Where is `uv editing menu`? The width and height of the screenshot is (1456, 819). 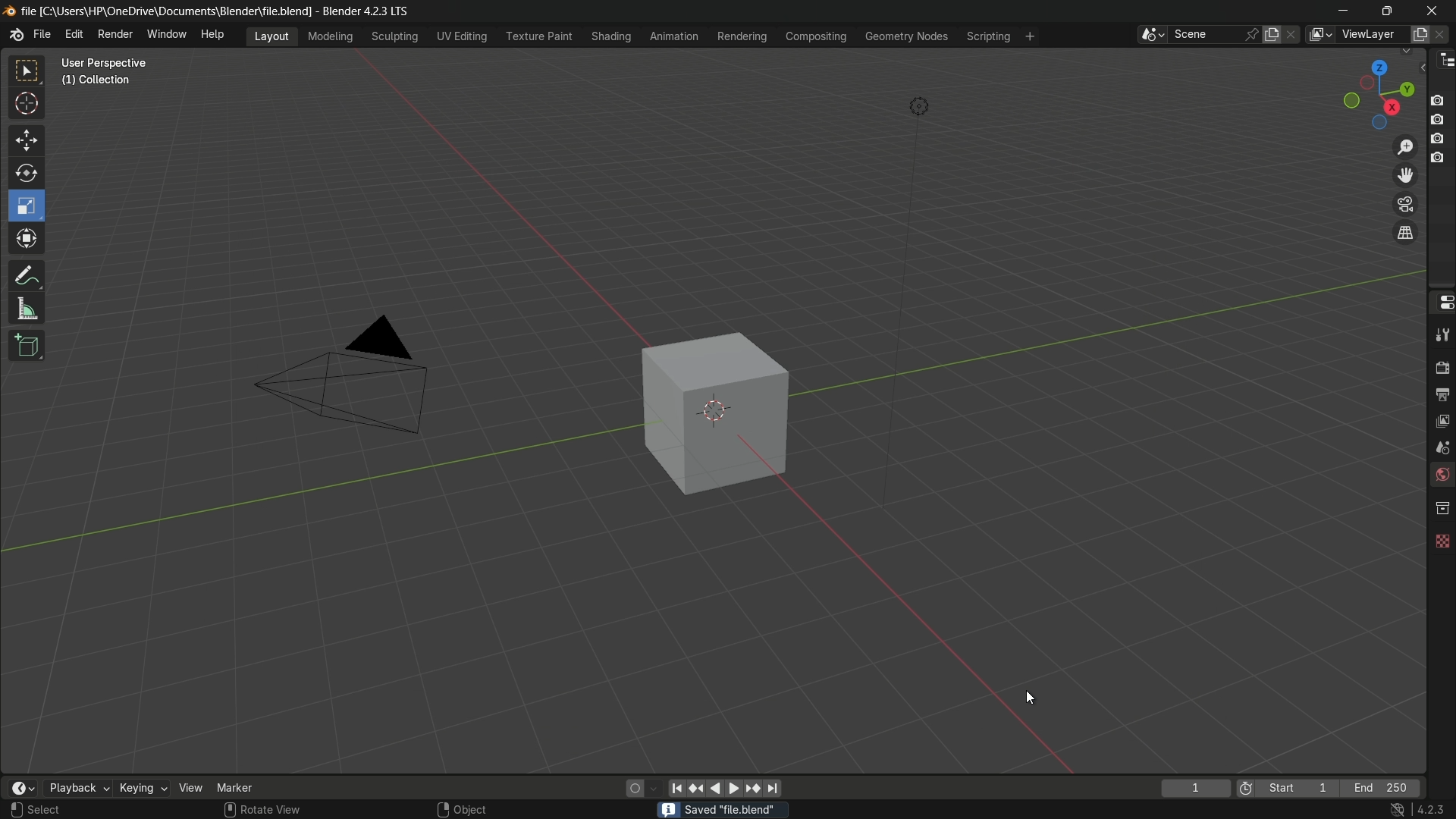
uv editing menu is located at coordinates (462, 36).